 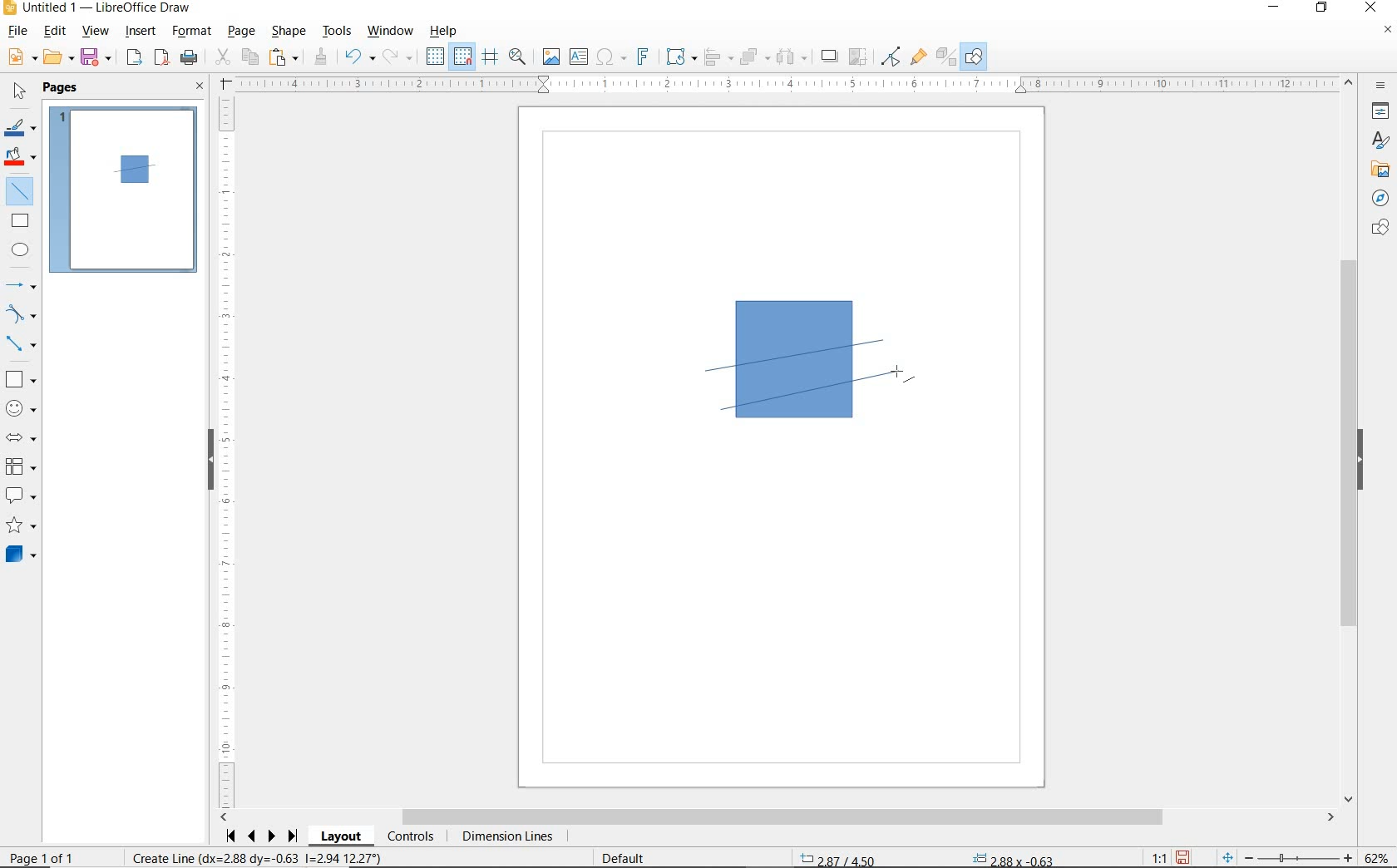 I want to click on SIDEBAR SETTINGS, so click(x=1382, y=86).